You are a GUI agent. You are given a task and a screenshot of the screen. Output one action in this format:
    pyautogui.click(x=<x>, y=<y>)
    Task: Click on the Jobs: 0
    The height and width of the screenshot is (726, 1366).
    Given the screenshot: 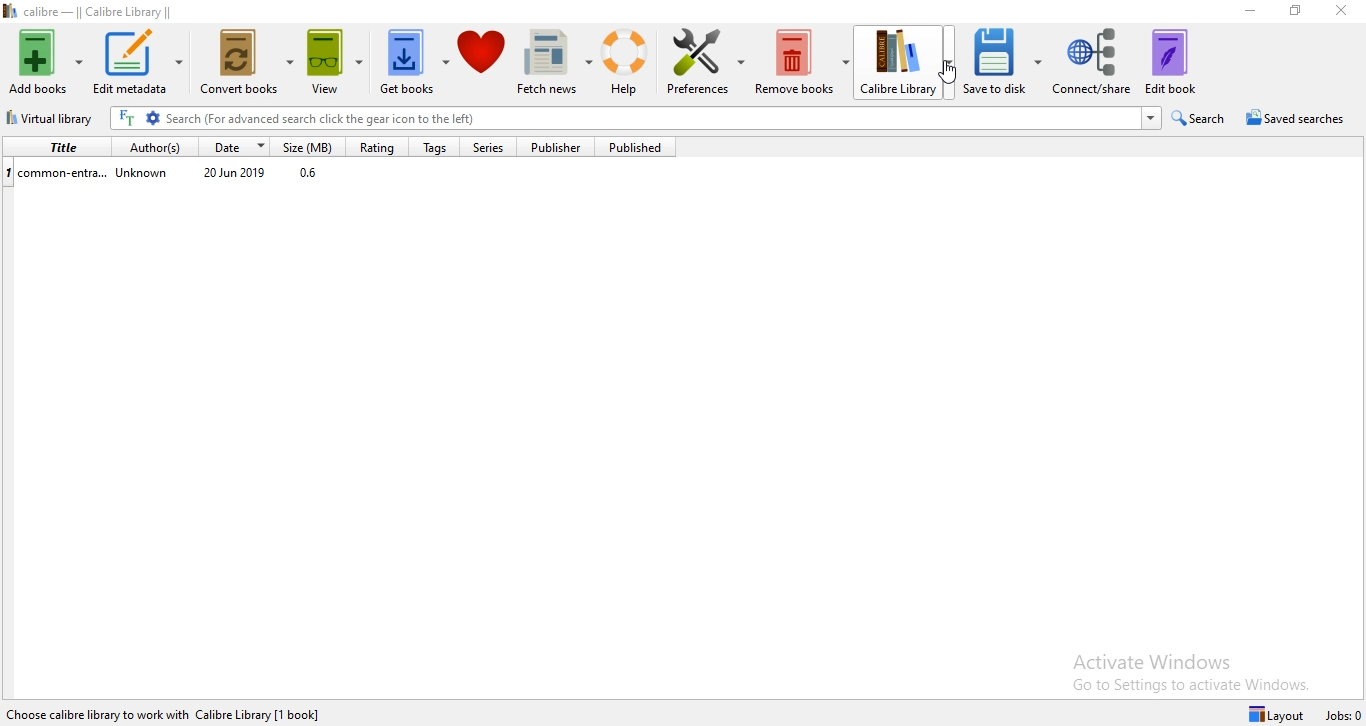 What is the action you would take?
    pyautogui.click(x=1344, y=716)
    